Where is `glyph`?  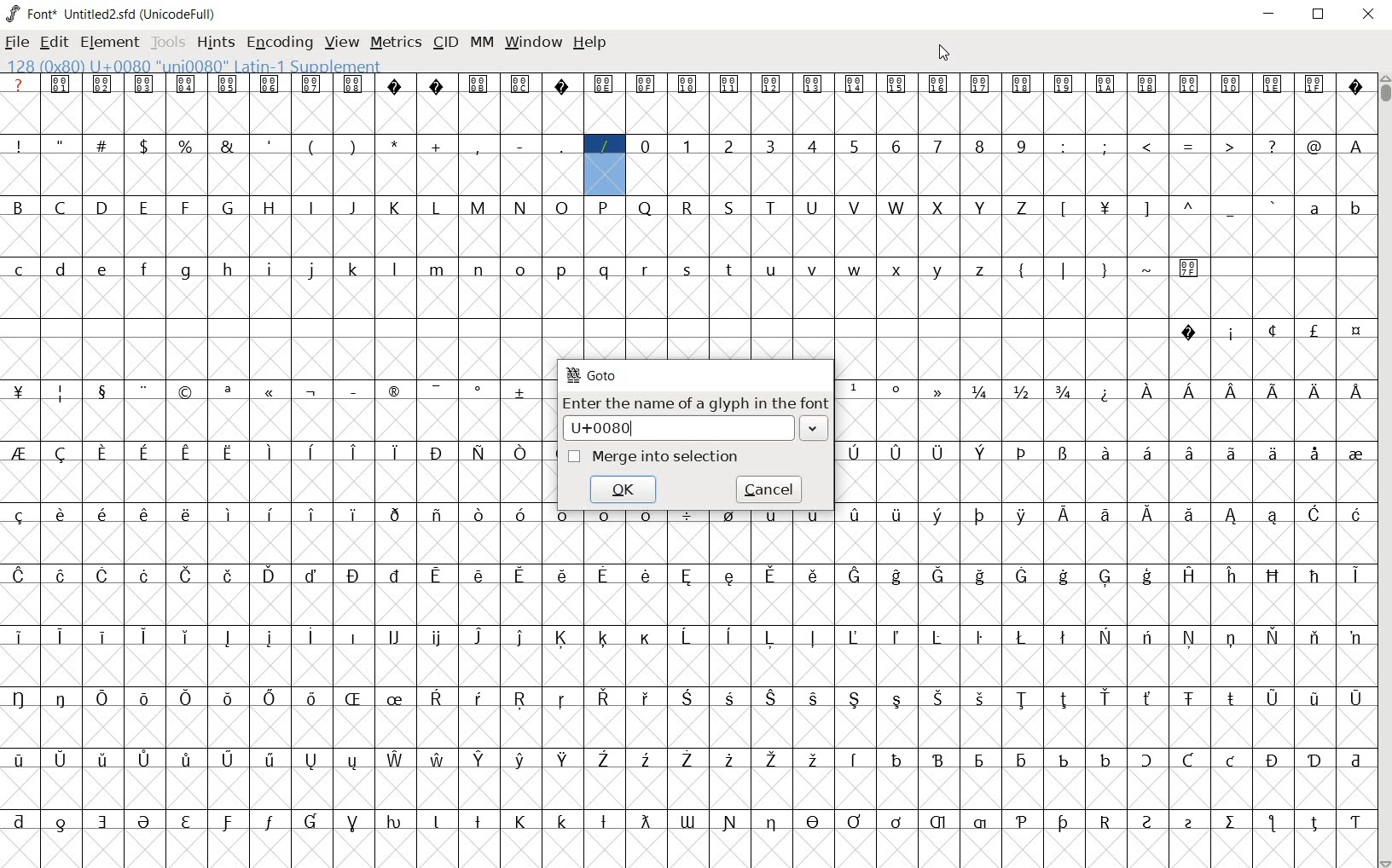 glyph is located at coordinates (1020, 208).